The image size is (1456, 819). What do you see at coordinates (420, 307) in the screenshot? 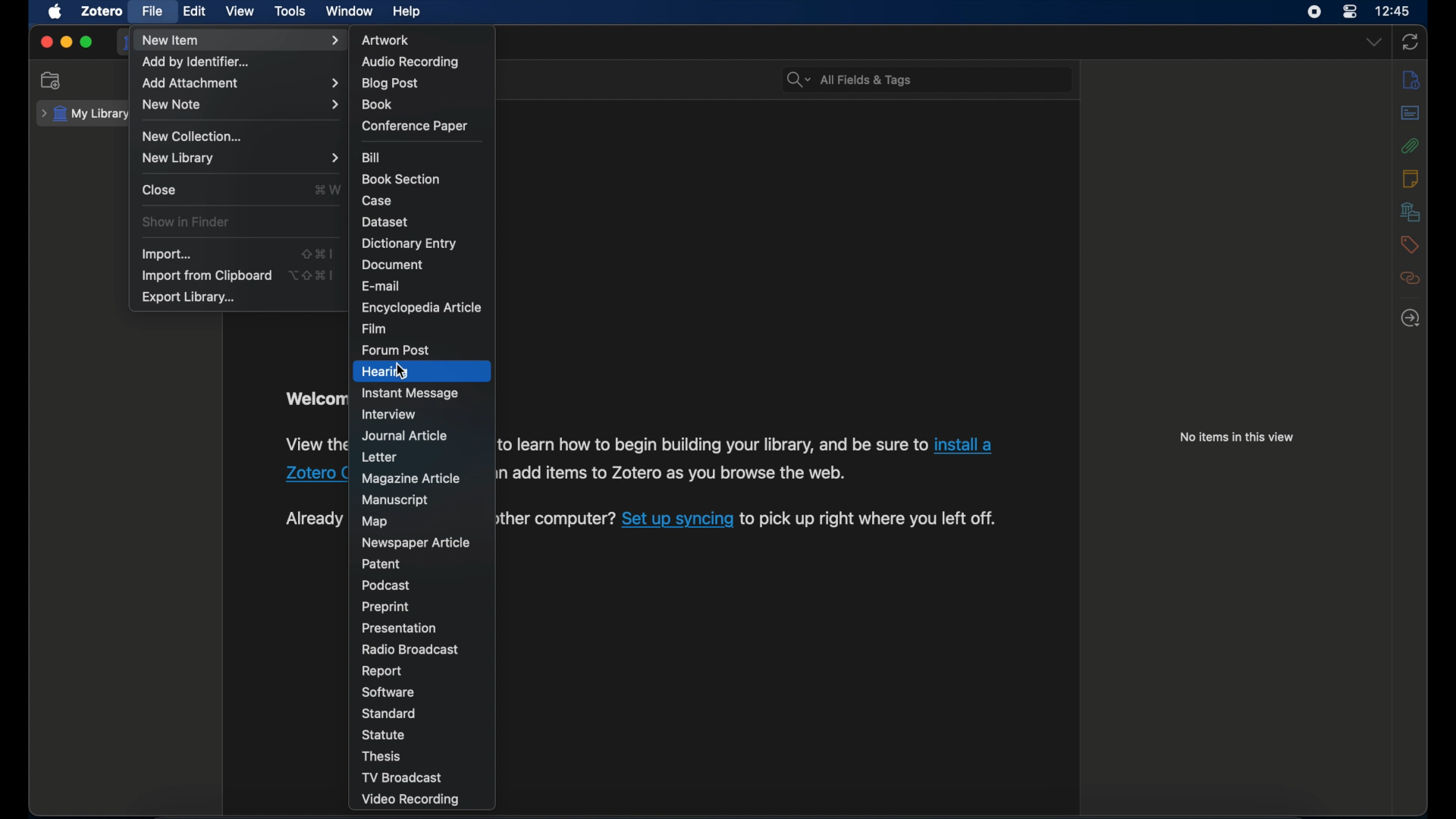
I see `encyclopedia article` at bounding box center [420, 307].